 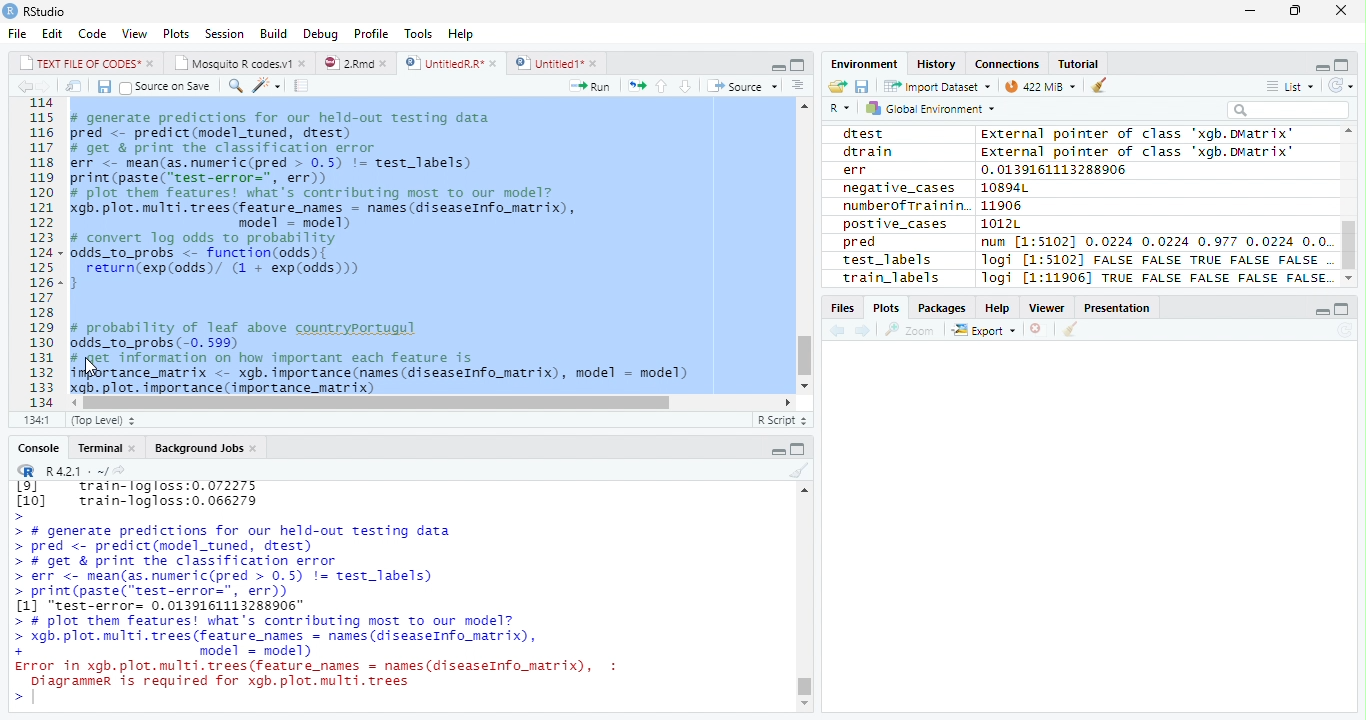 What do you see at coordinates (984, 330) in the screenshot?
I see `Export` at bounding box center [984, 330].